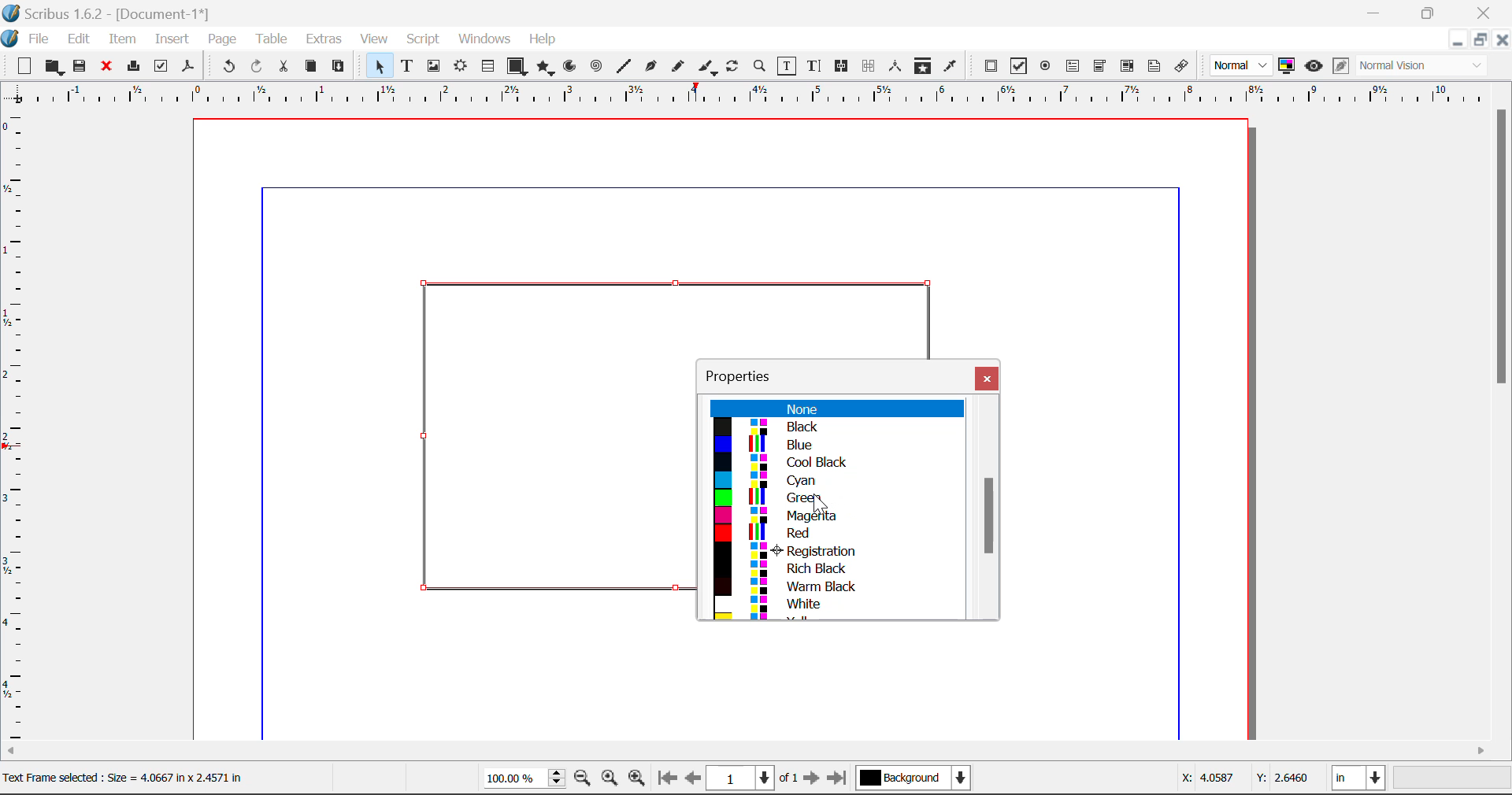 The image size is (1512, 795). What do you see at coordinates (188, 67) in the screenshot?
I see `Save as Pdf` at bounding box center [188, 67].